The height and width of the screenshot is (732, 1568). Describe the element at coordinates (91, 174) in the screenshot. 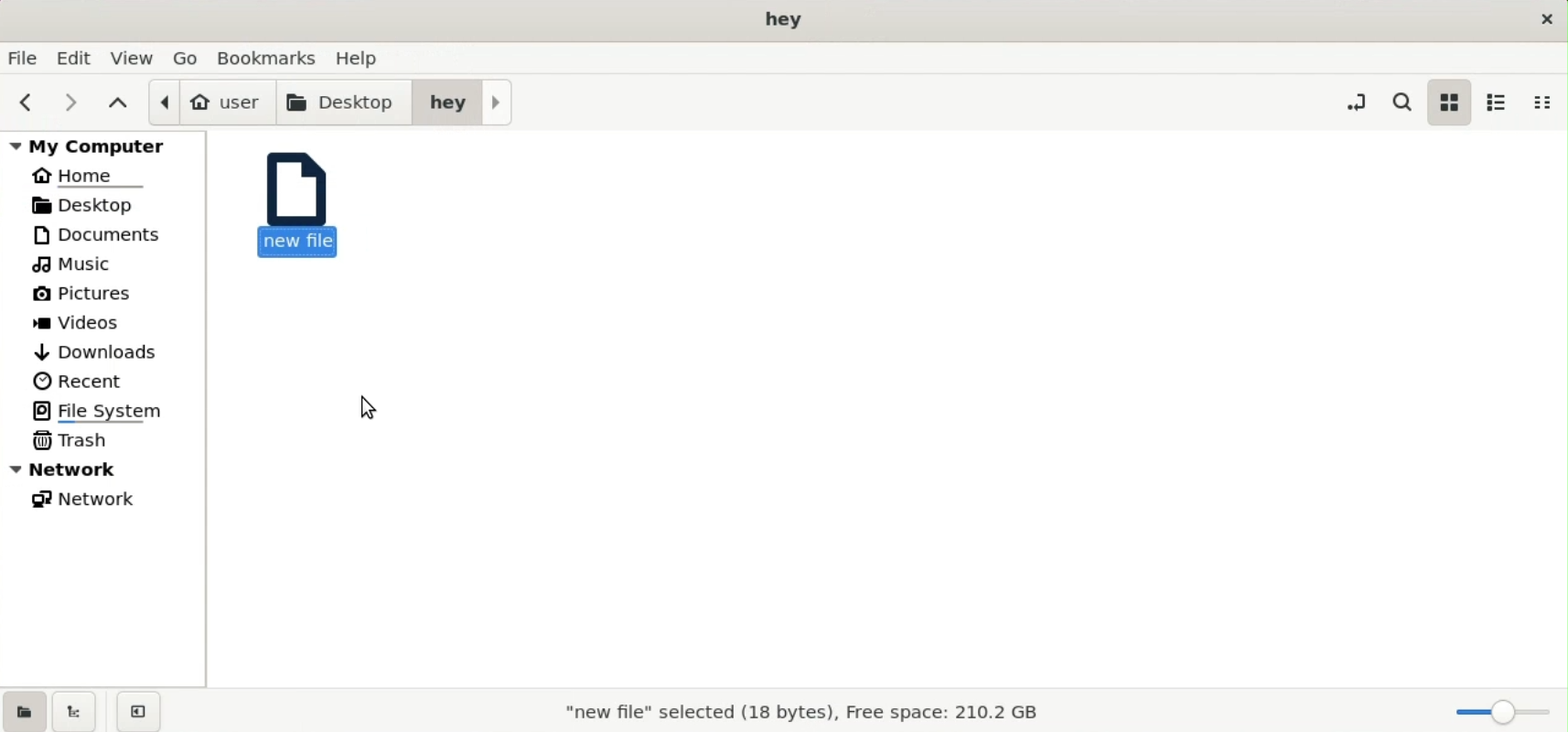

I see `home` at that location.